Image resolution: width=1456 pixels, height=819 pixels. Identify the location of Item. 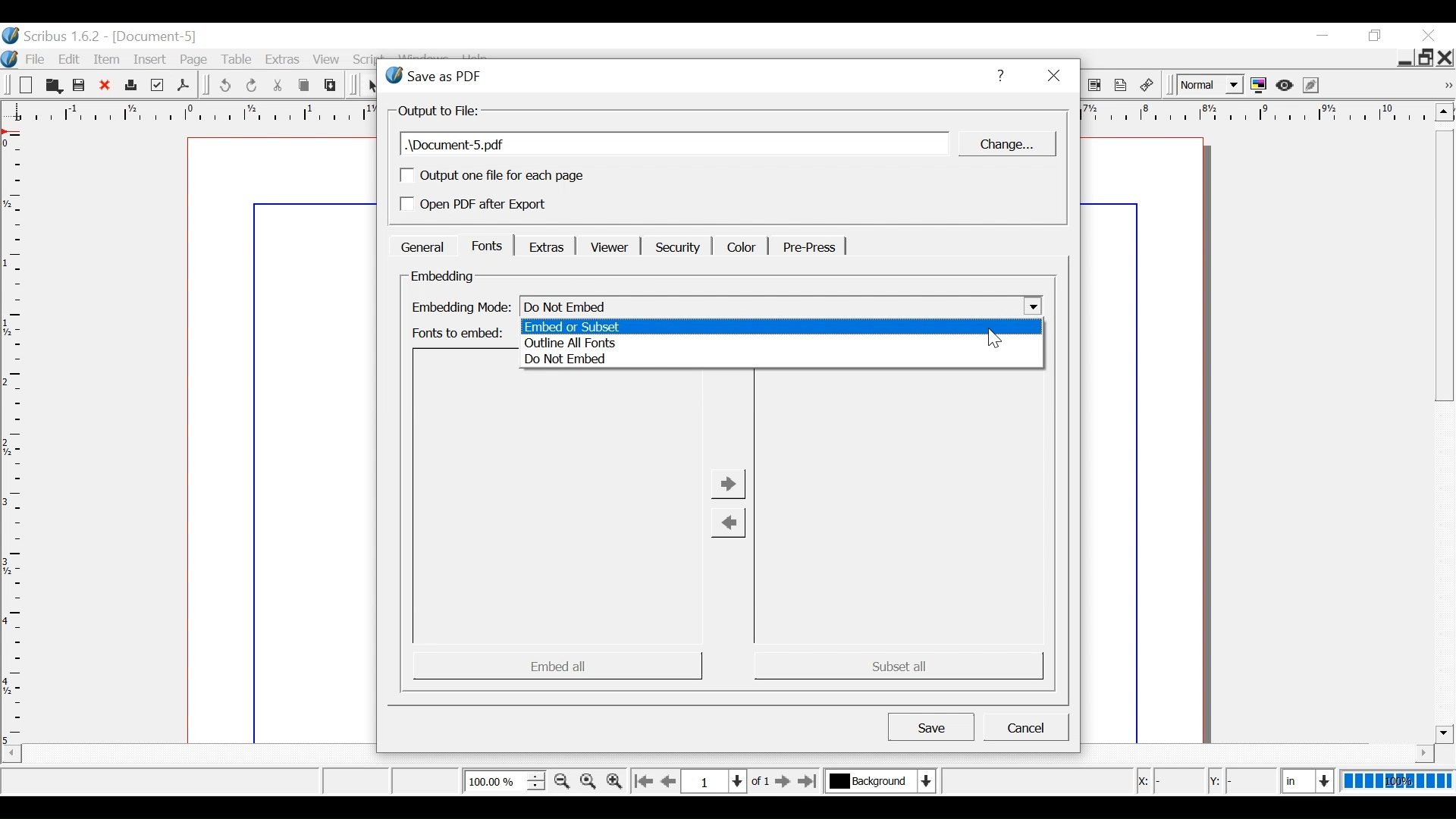
(108, 59).